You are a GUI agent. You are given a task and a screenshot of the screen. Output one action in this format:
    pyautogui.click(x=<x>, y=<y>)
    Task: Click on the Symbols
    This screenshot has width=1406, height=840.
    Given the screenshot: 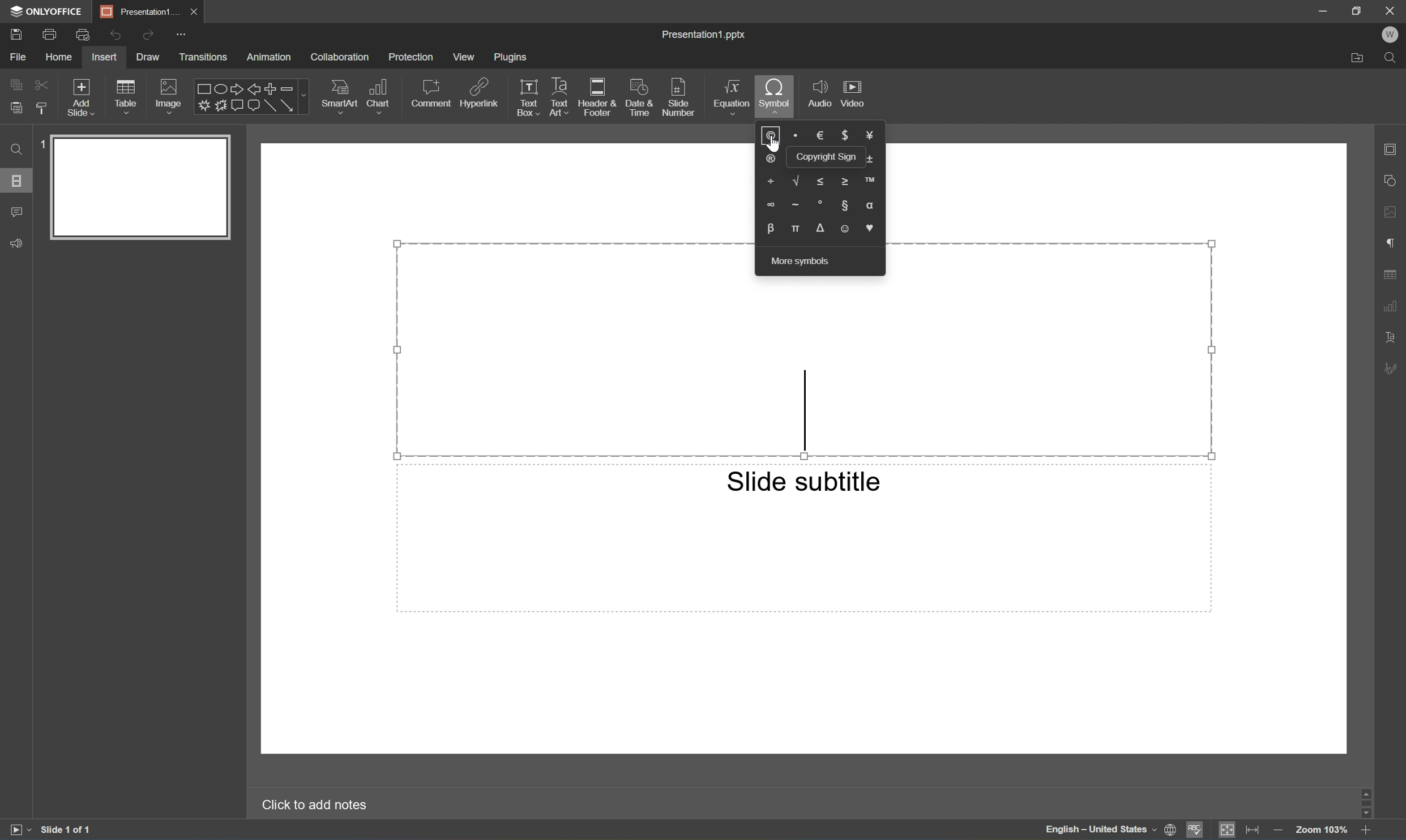 What is the action you would take?
    pyautogui.click(x=822, y=185)
    